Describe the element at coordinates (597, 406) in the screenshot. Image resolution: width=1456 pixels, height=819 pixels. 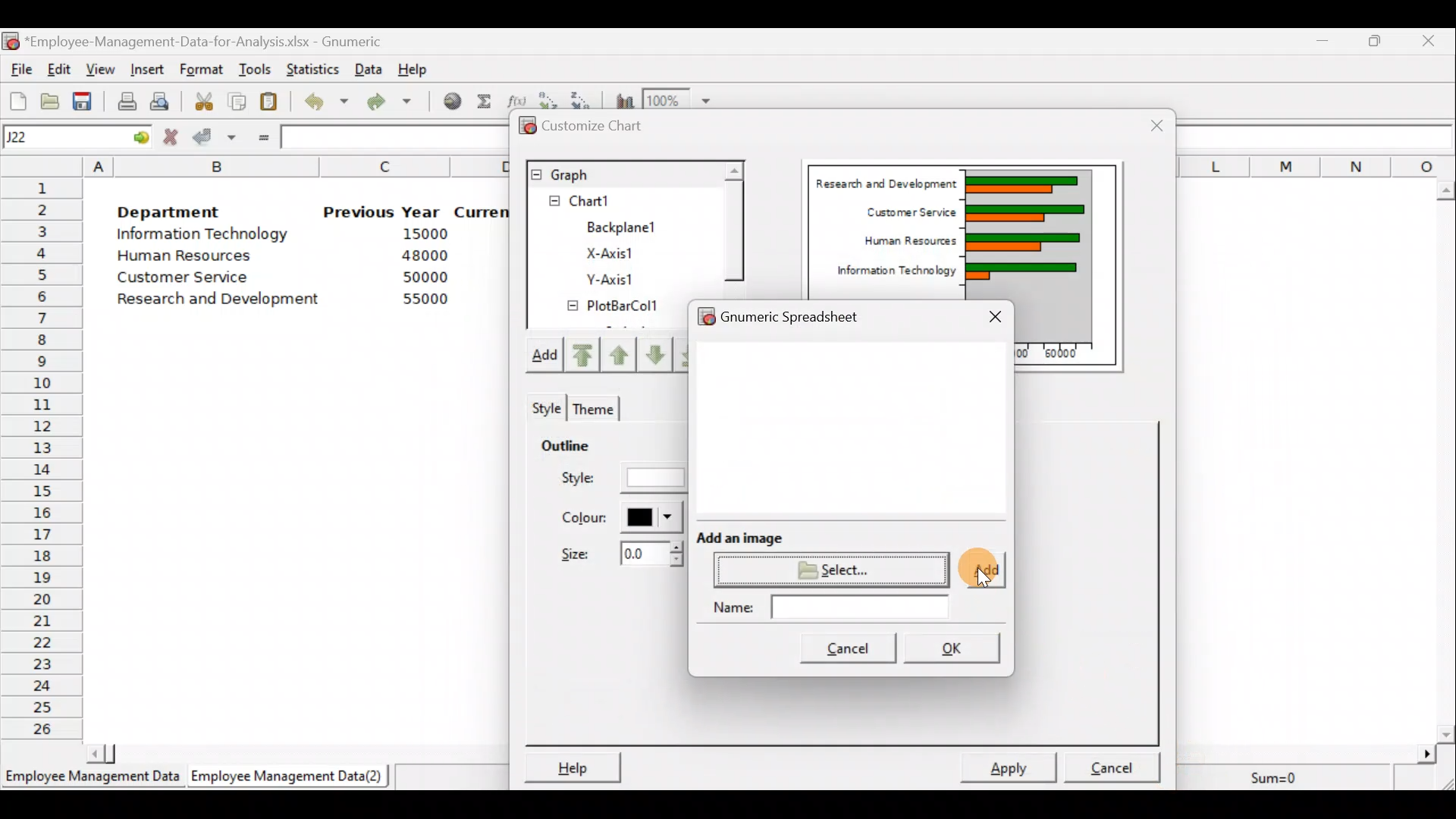
I see `Theme` at that location.